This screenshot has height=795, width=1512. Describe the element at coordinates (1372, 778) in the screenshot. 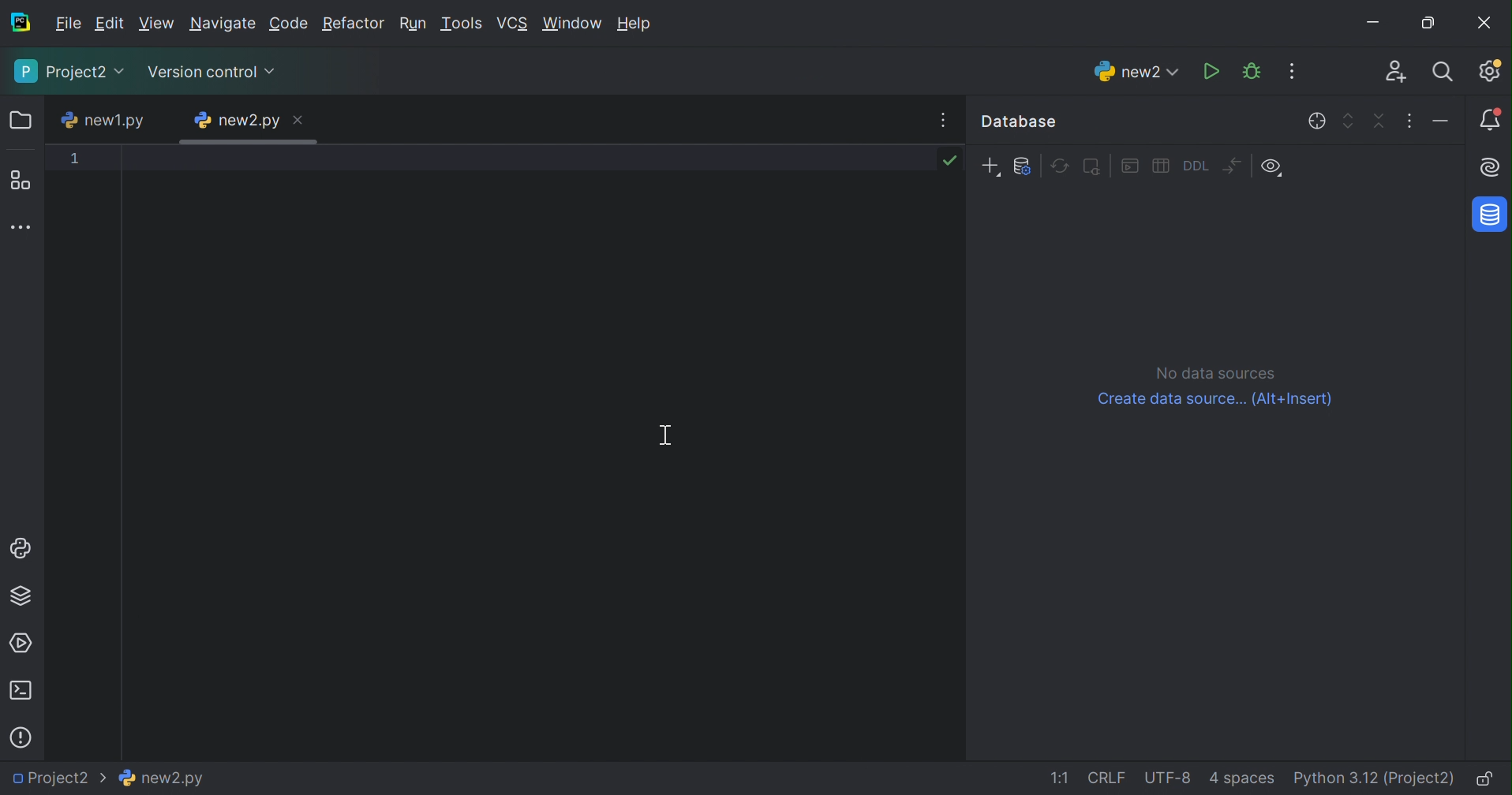

I see `Python 3.12 (Project2)` at that location.